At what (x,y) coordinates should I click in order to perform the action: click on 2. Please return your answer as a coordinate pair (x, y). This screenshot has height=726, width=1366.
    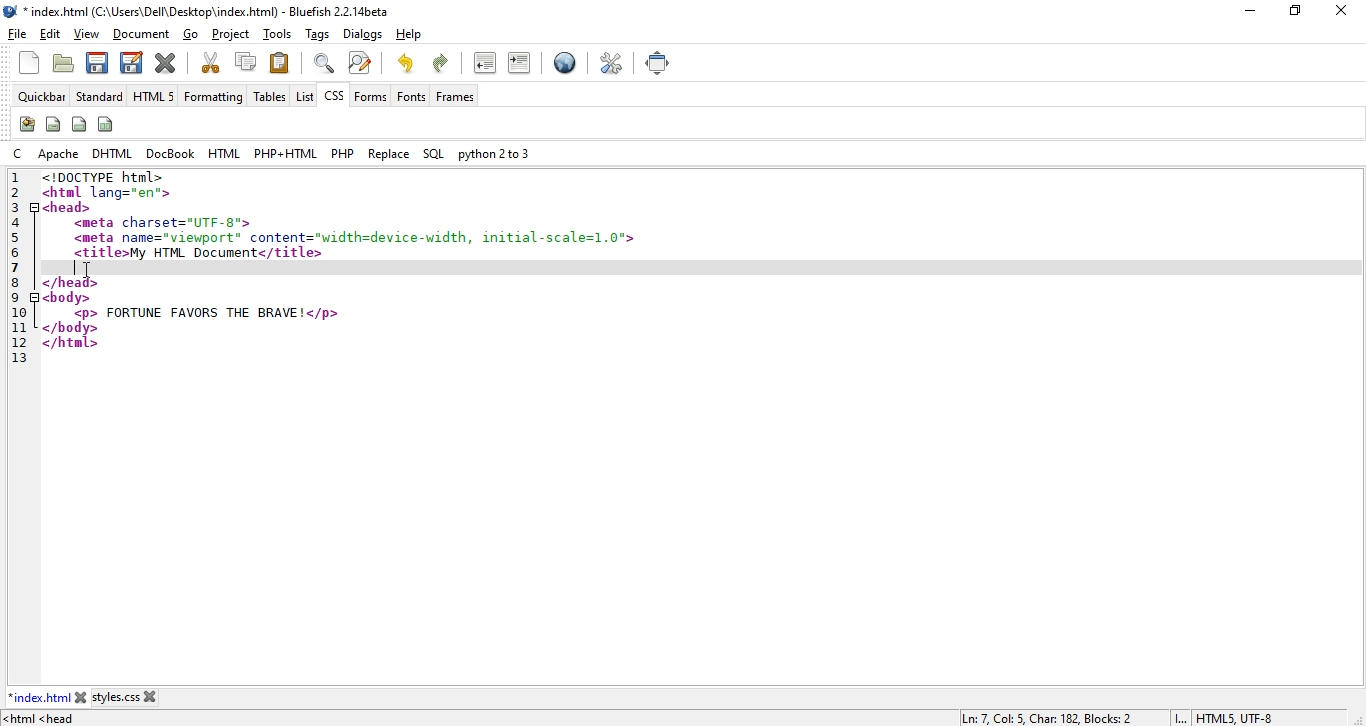
    Looking at the image, I should click on (18, 192).